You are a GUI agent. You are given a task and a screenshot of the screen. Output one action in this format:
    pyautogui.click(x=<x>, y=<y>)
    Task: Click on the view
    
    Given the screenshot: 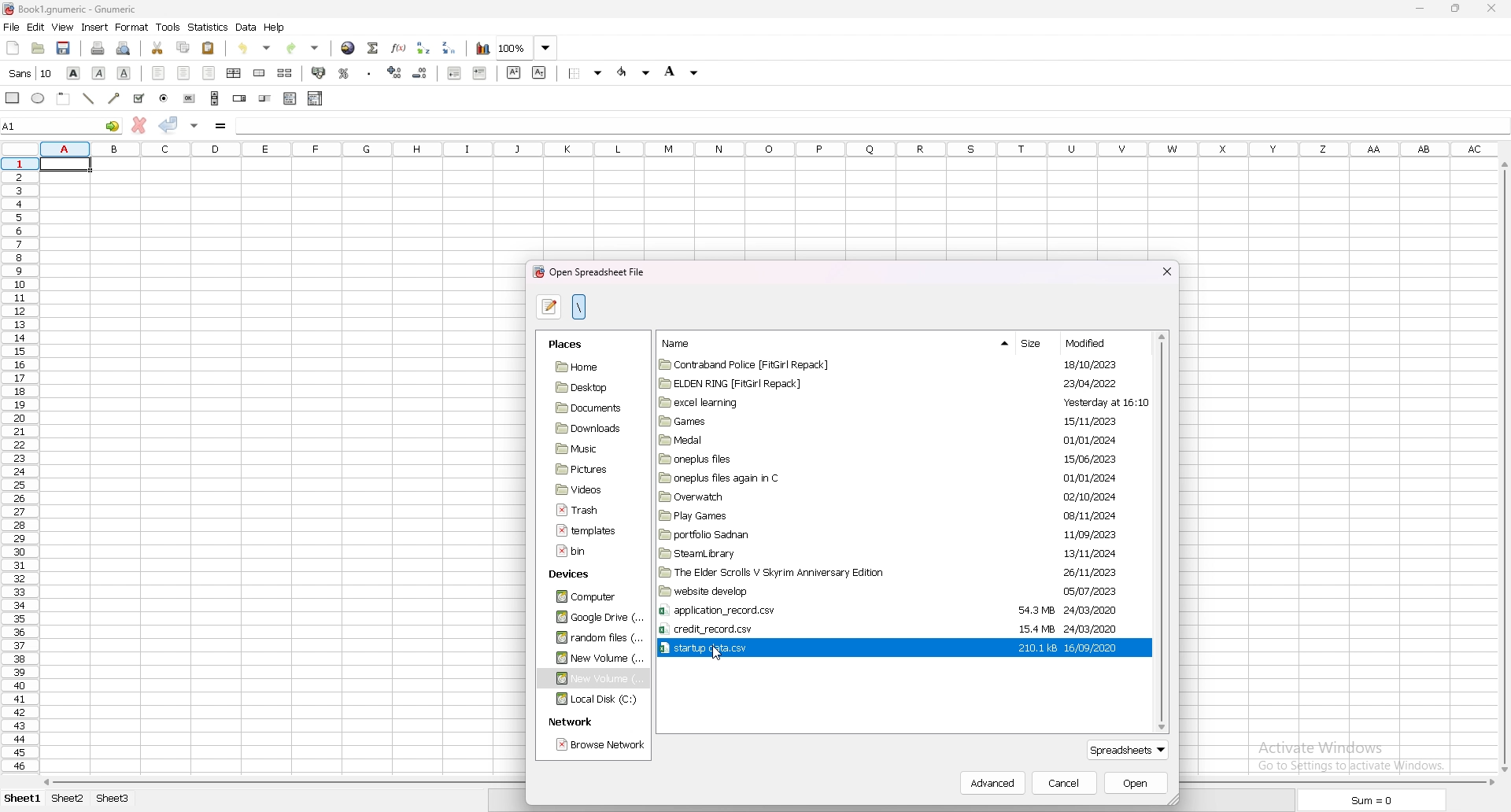 What is the action you would take?
    pyautogui.click(x=62, y=27)
    